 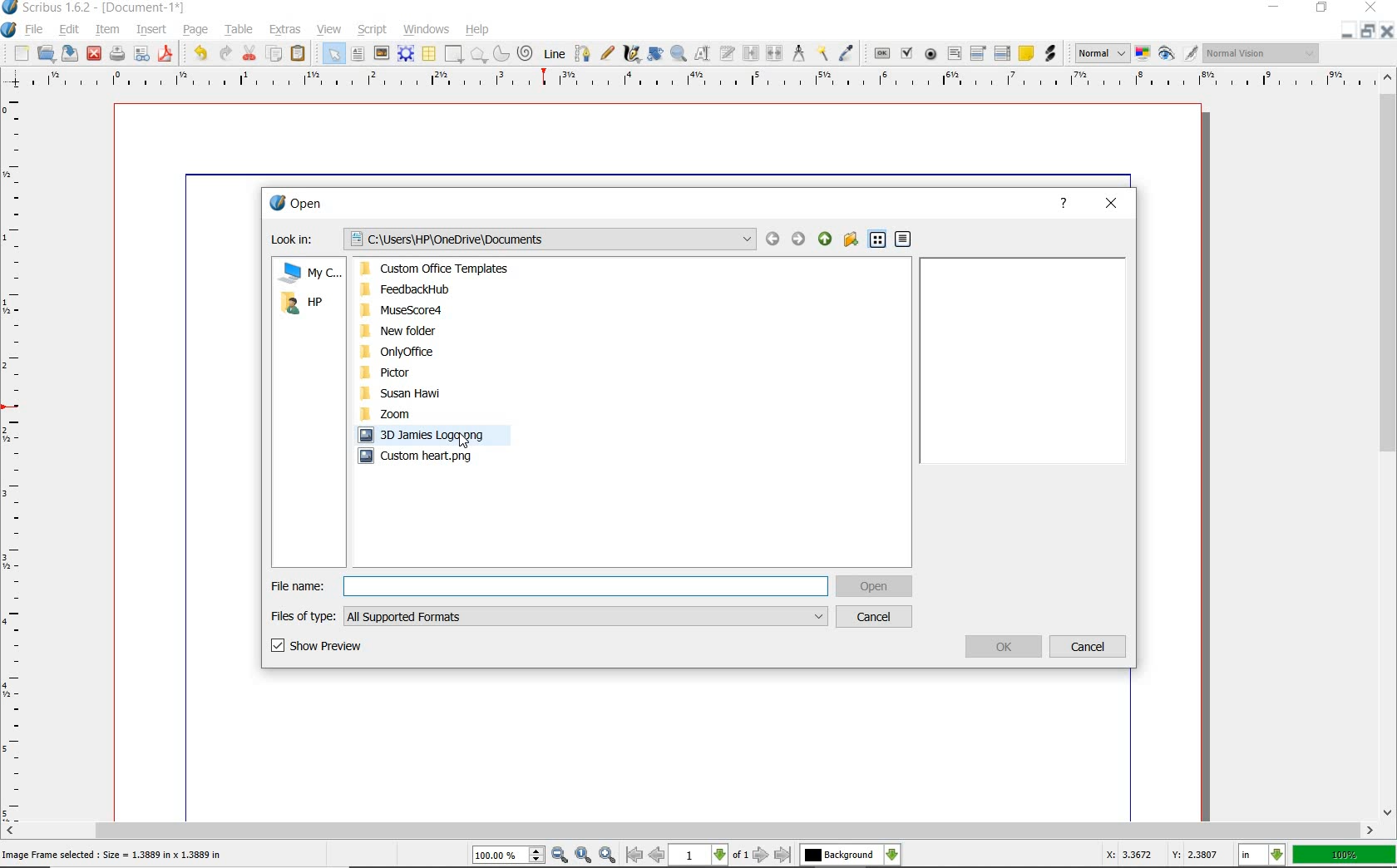 I want to click on New folder, so click(x=441, y=330).